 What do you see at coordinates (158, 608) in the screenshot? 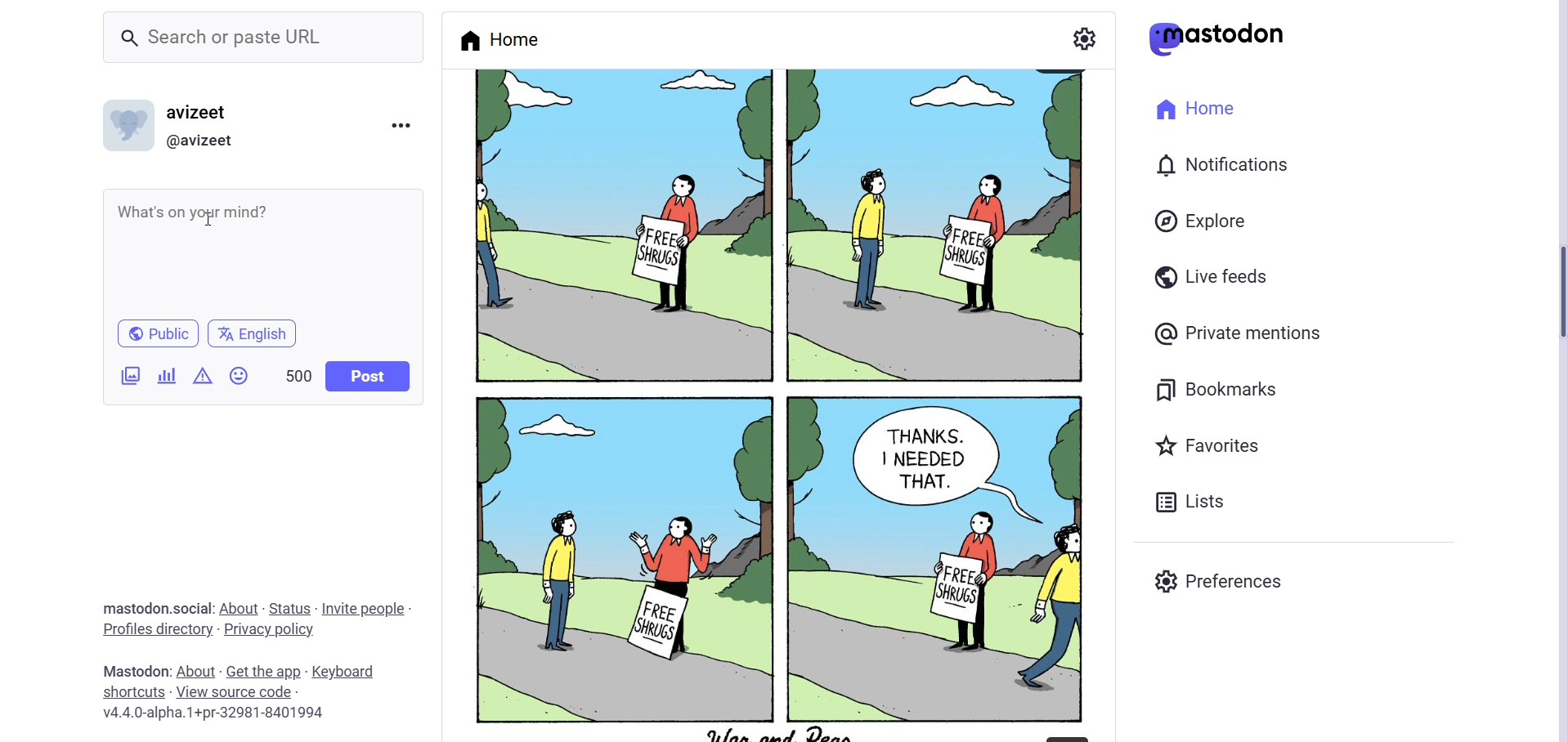
I see `Text` at bounding box center [158, 608].